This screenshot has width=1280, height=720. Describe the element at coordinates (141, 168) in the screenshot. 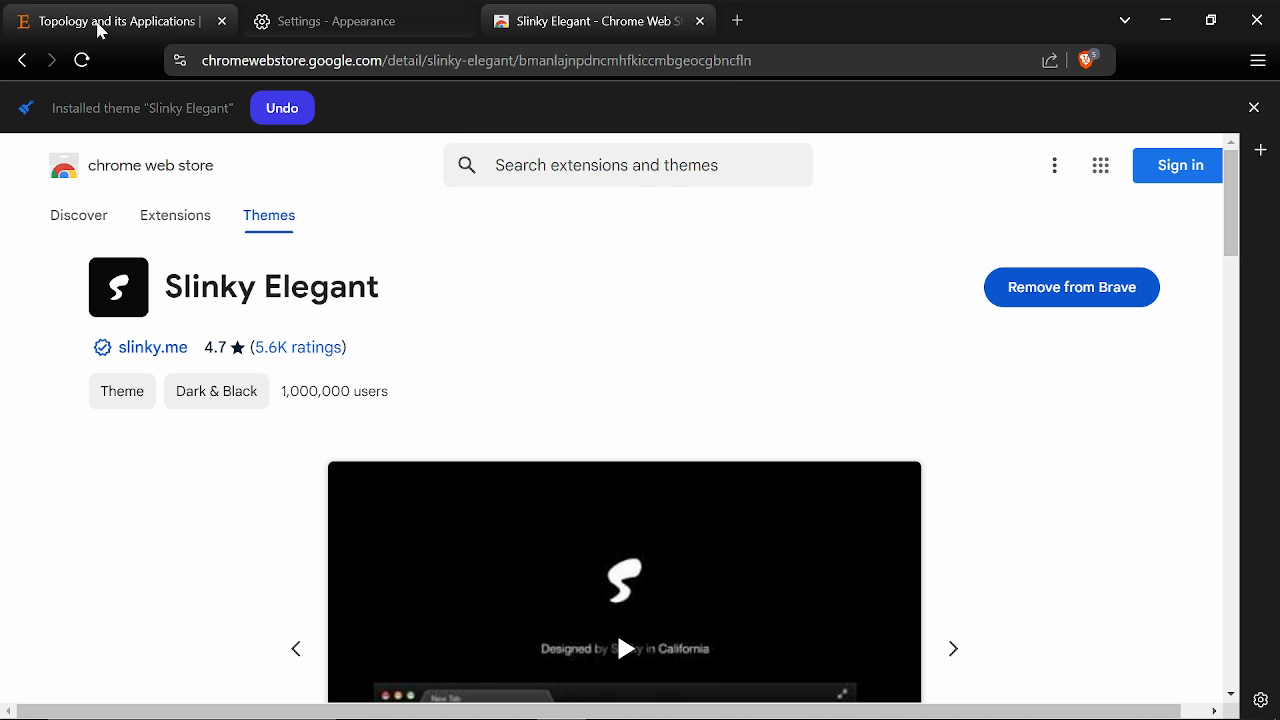

I see `Chrome web store` at that location.